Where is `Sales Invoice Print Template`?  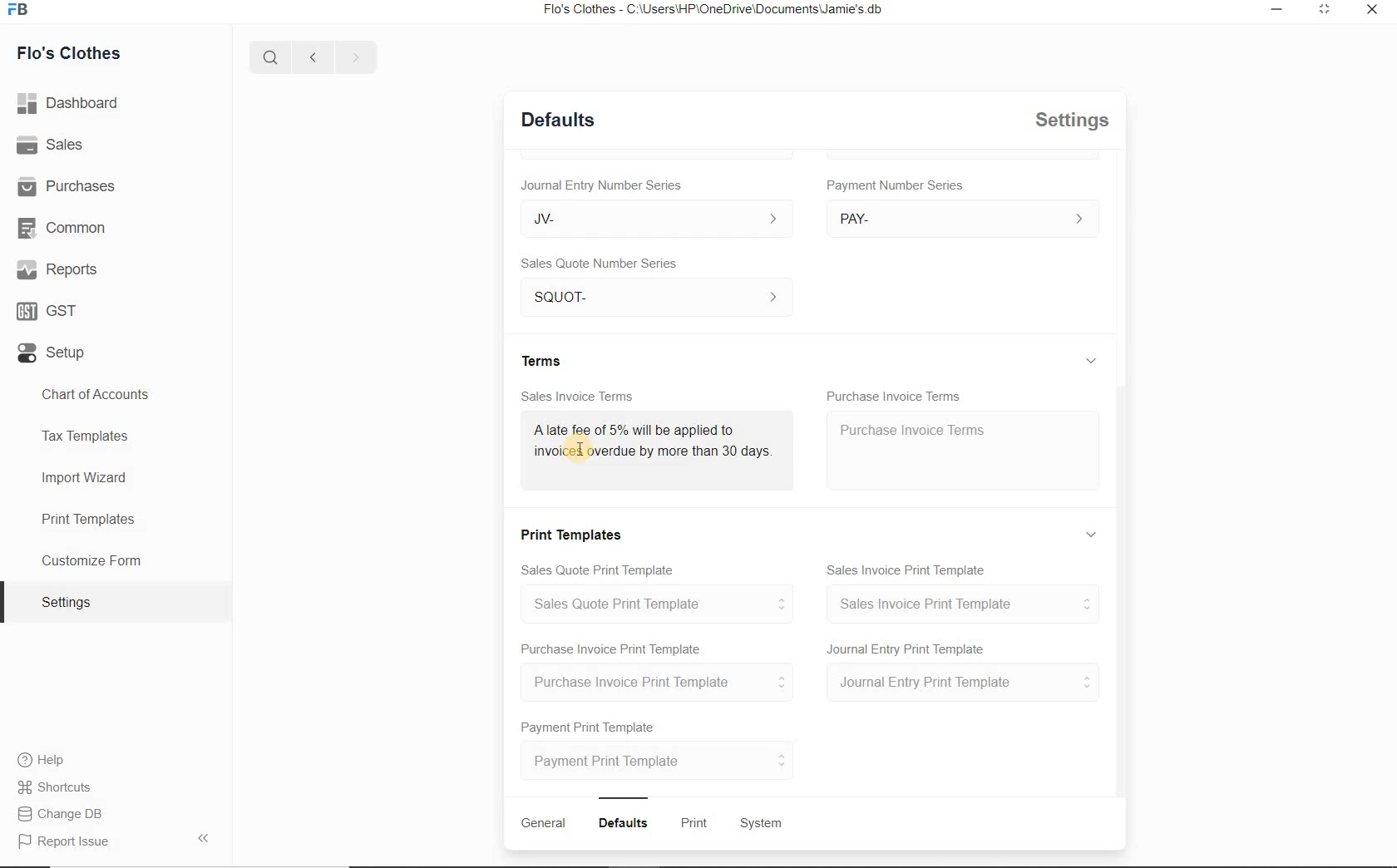 Sales Invoice Print Template is located at coordinates (964, 604).